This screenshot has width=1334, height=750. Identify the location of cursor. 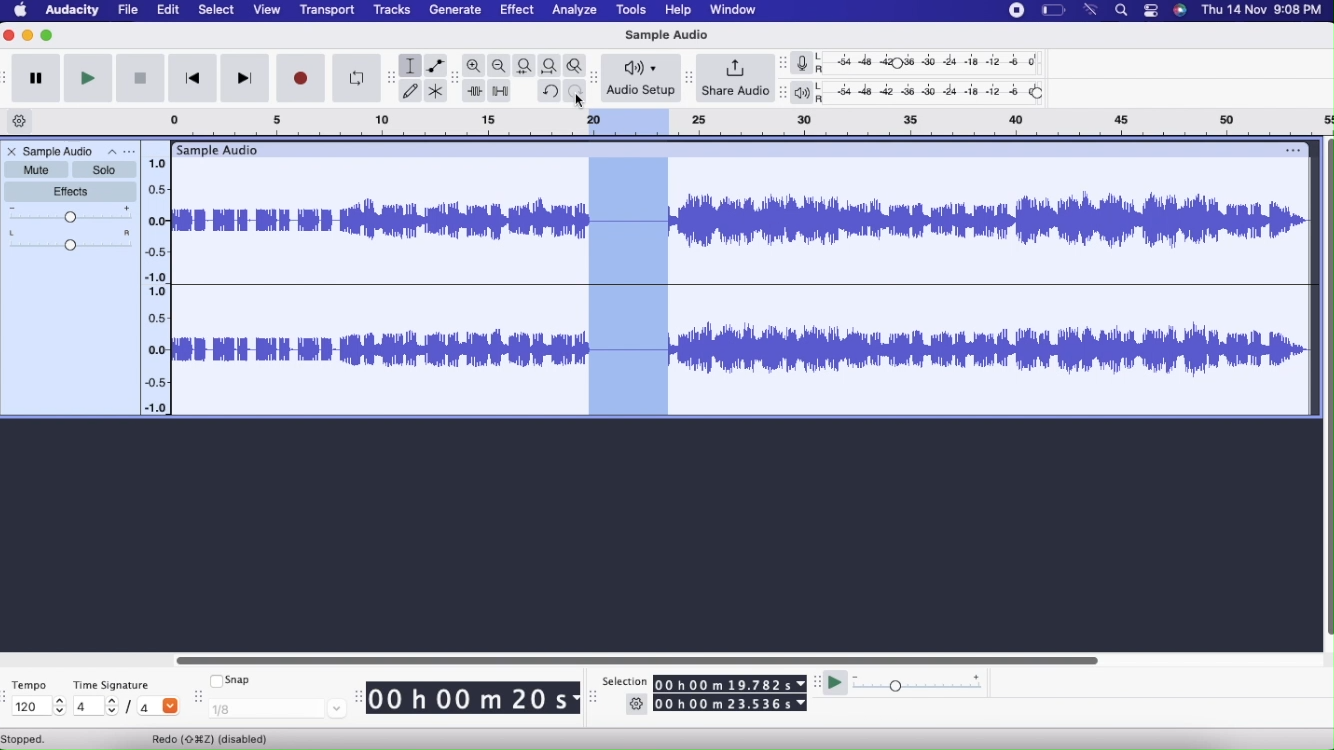
(578, 104).